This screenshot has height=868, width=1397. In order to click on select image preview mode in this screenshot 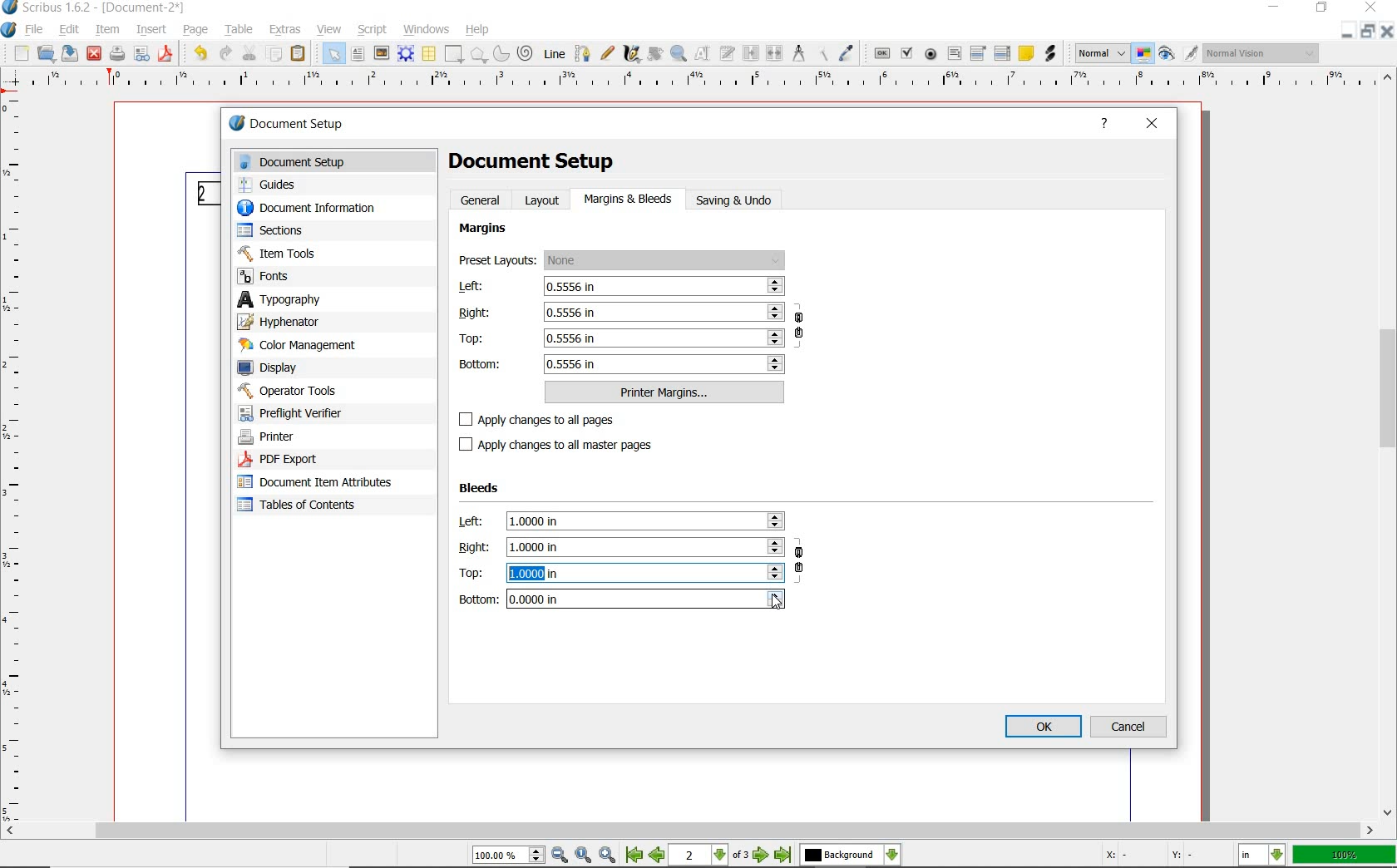, I will do `click(1101, 53)`.